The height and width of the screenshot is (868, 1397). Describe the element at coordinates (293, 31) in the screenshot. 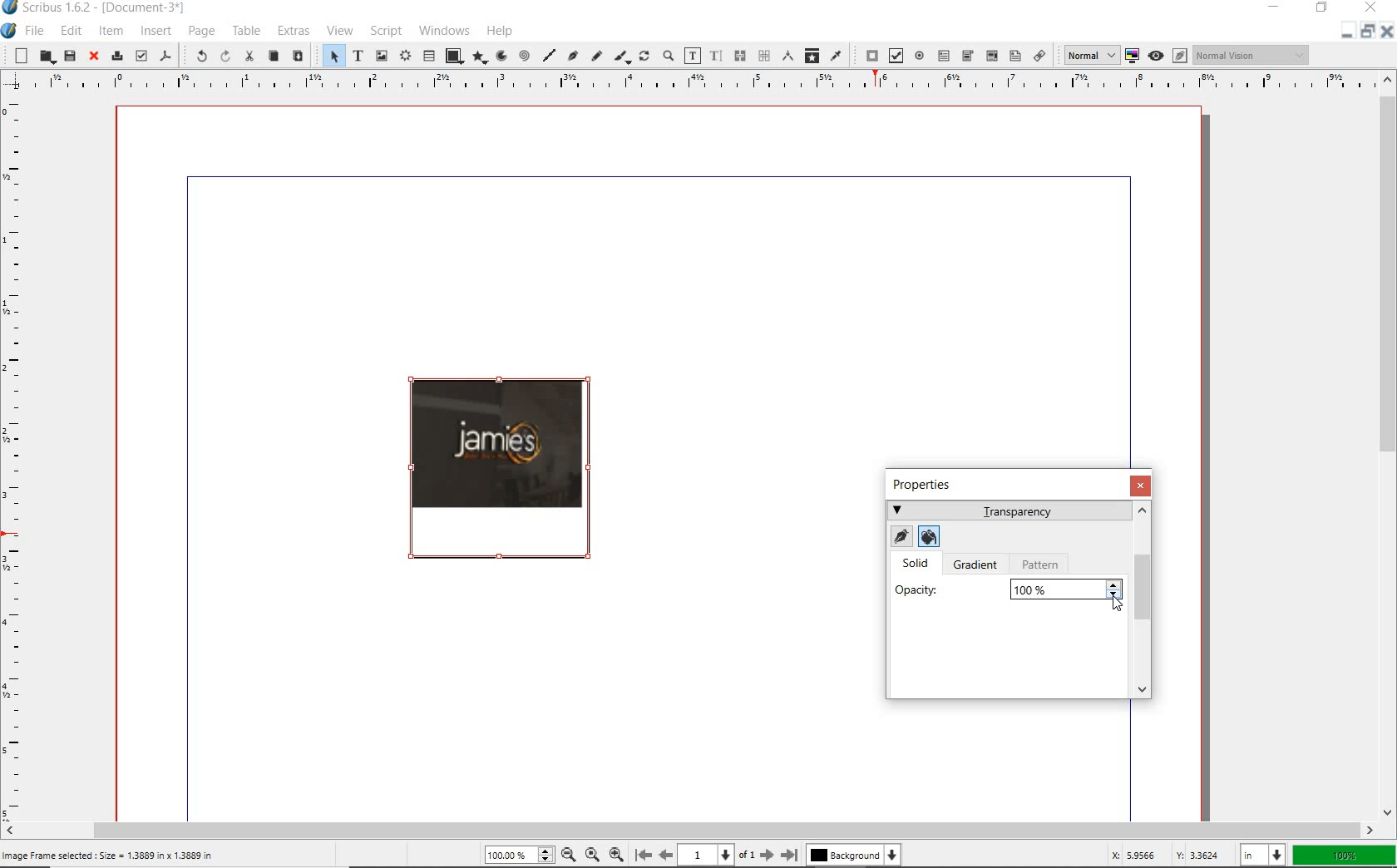

I see `EXTRAS` at that location.